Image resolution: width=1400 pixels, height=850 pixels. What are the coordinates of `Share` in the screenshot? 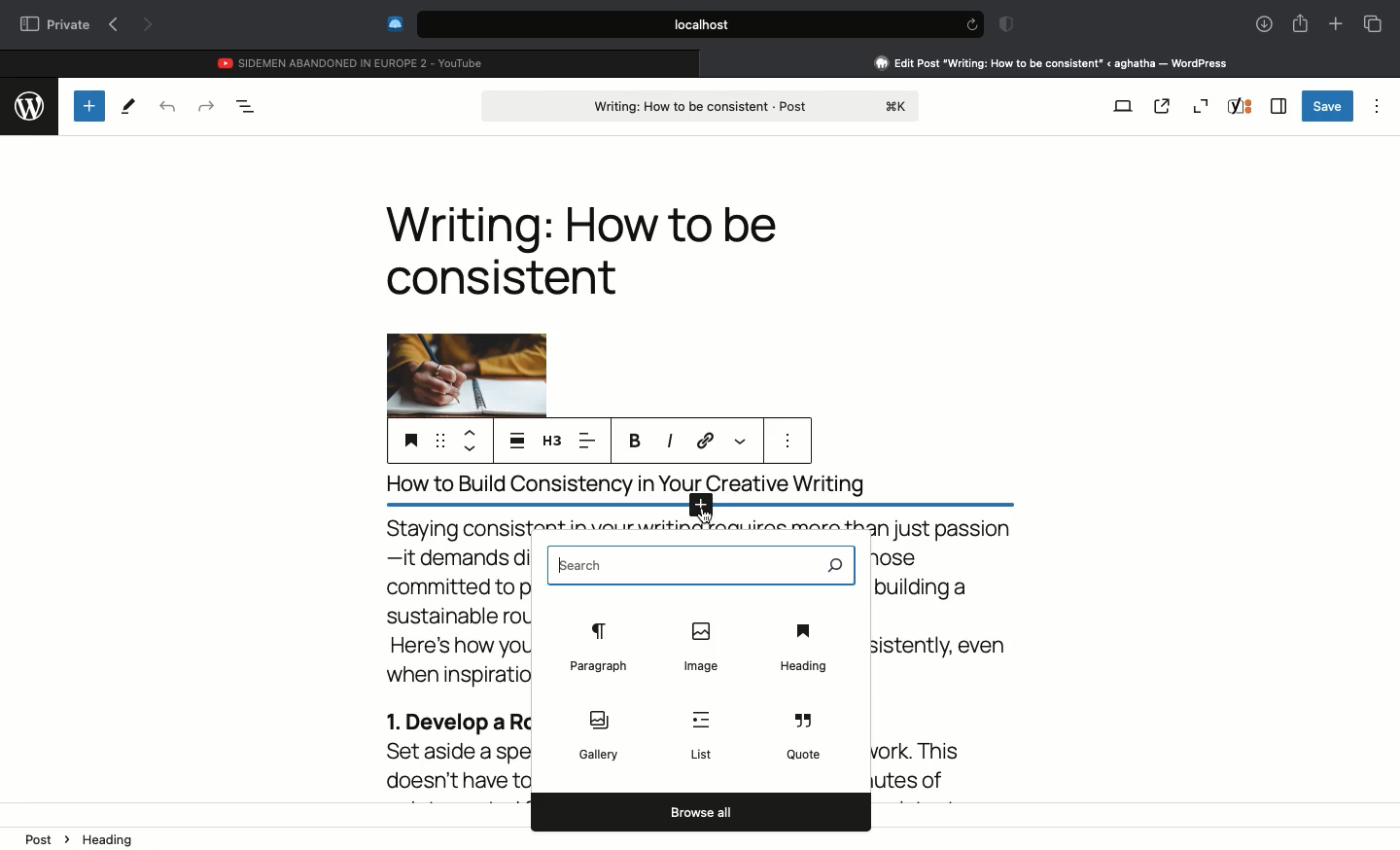 It's located at (1300, 21).